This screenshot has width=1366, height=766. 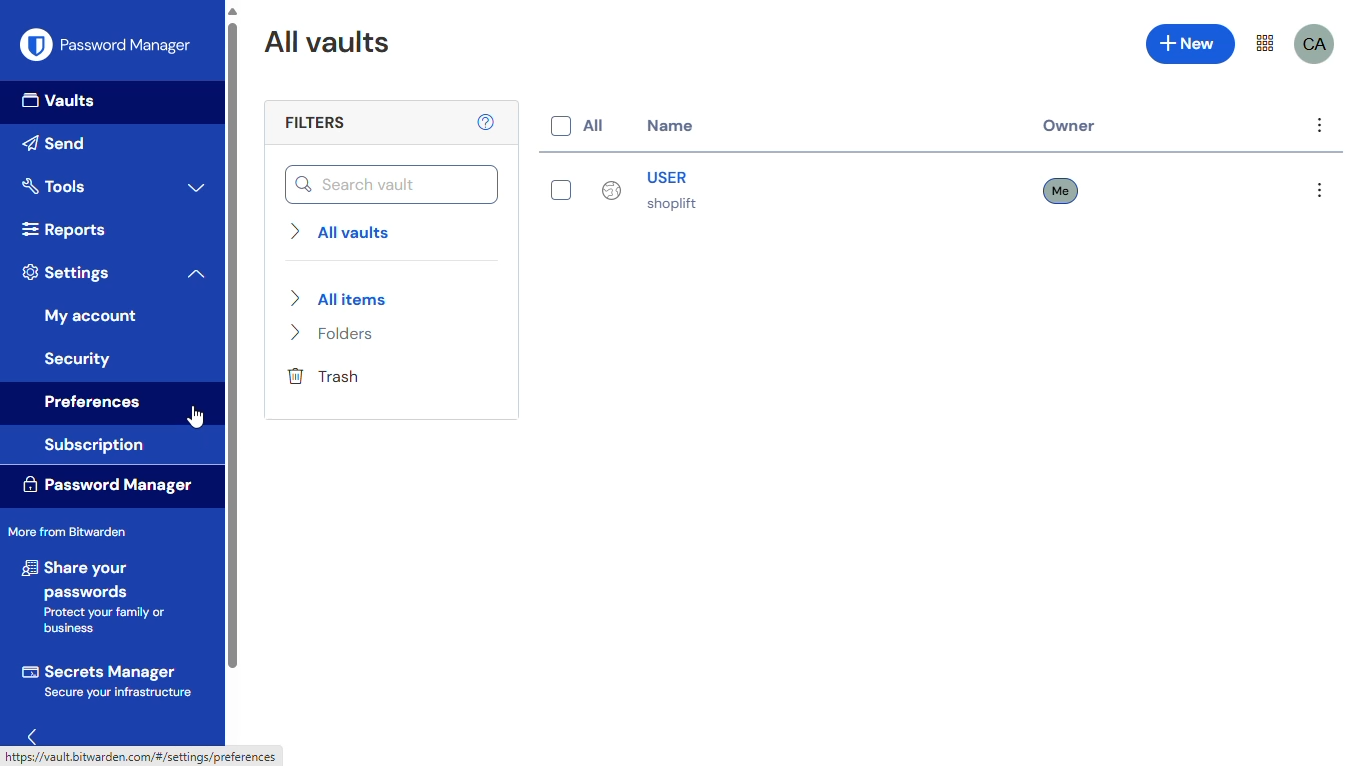 What do you see at coordinates (314, 123) in the screenshot?
I see `filters` at bounding box center [314, 123].